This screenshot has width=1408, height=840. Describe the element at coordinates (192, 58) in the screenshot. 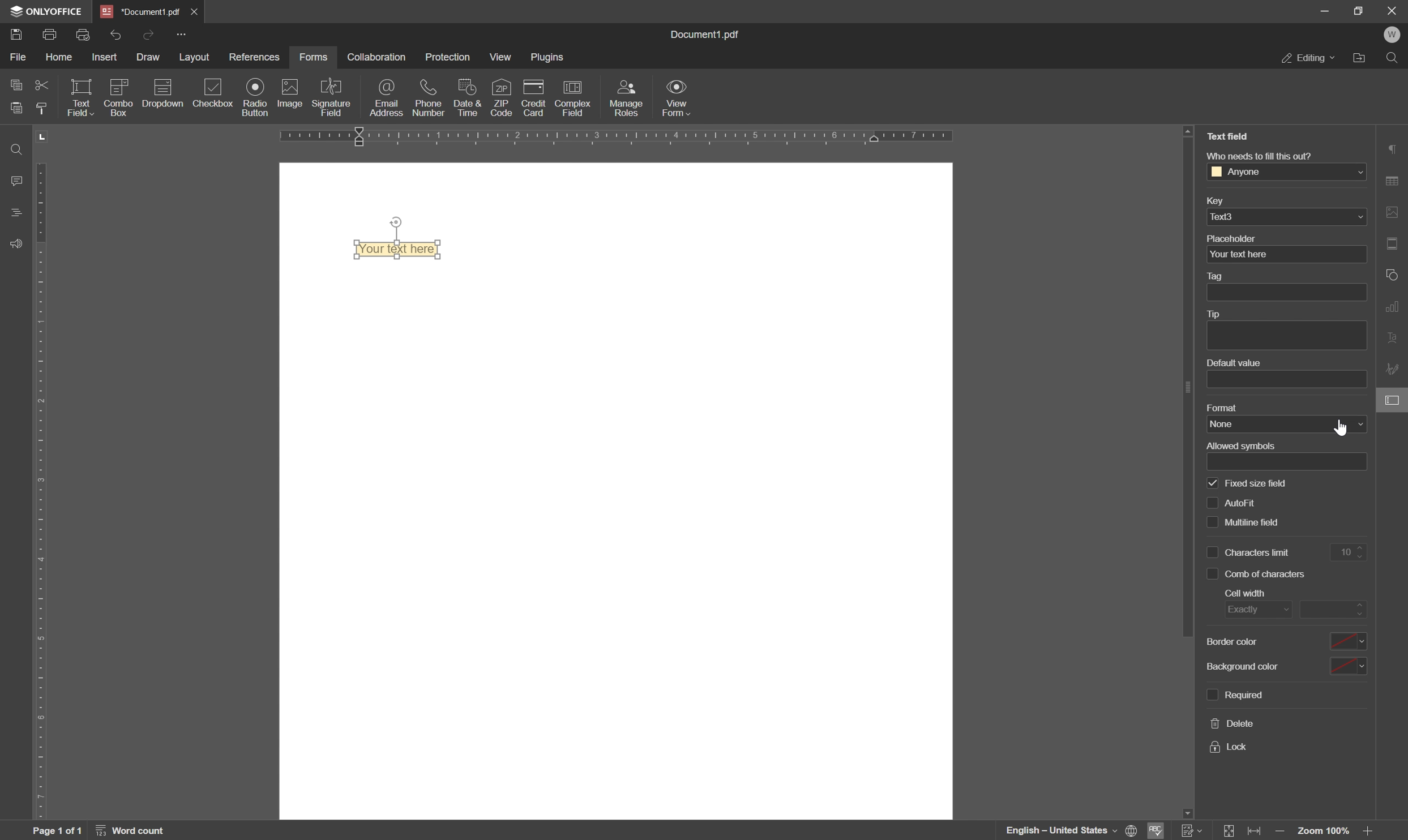

I see `layout` at that location.